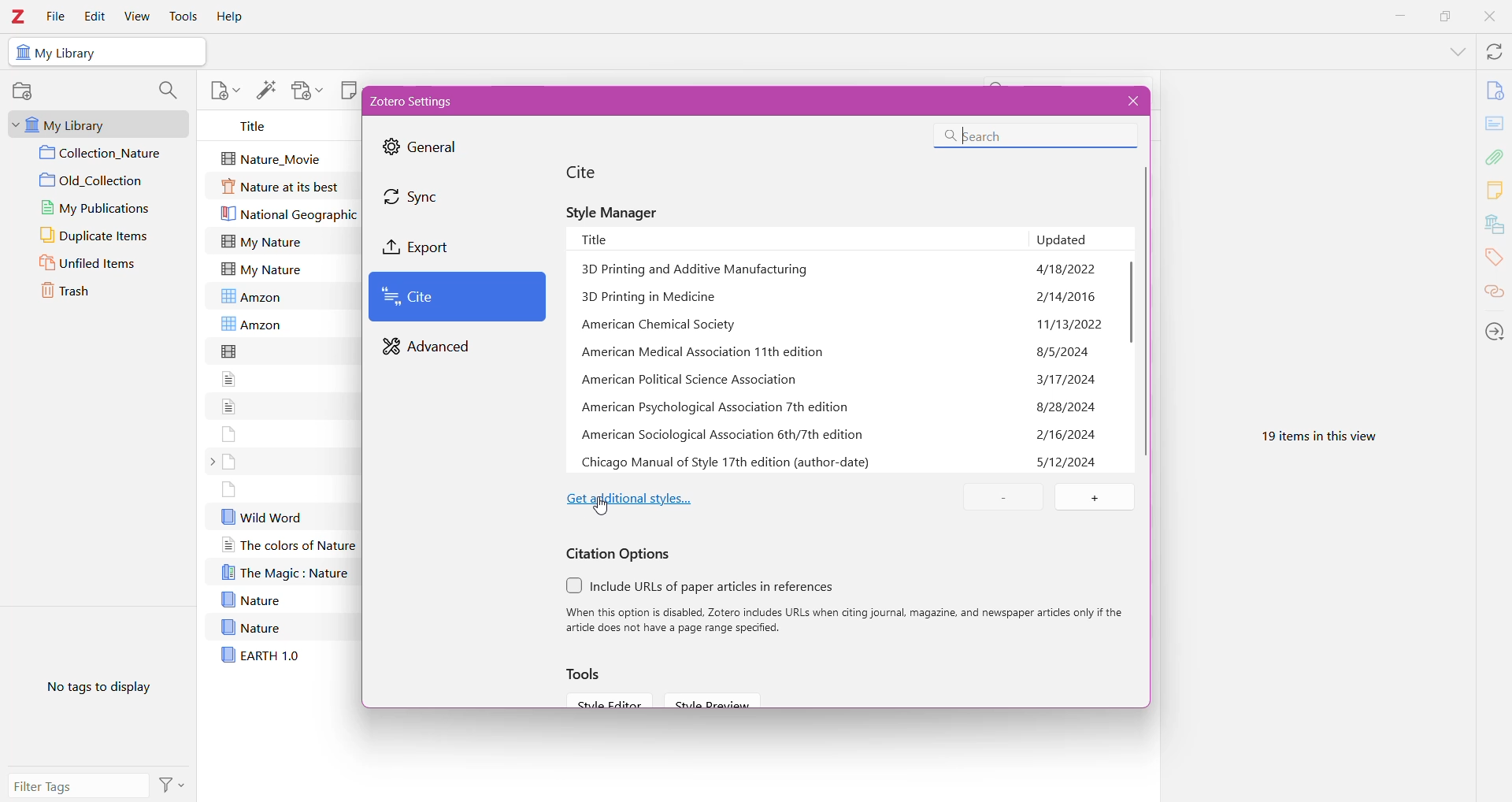 The width and height of the screenshot is (1512, 802). I want to click on Abstract, so click(1495, 124).